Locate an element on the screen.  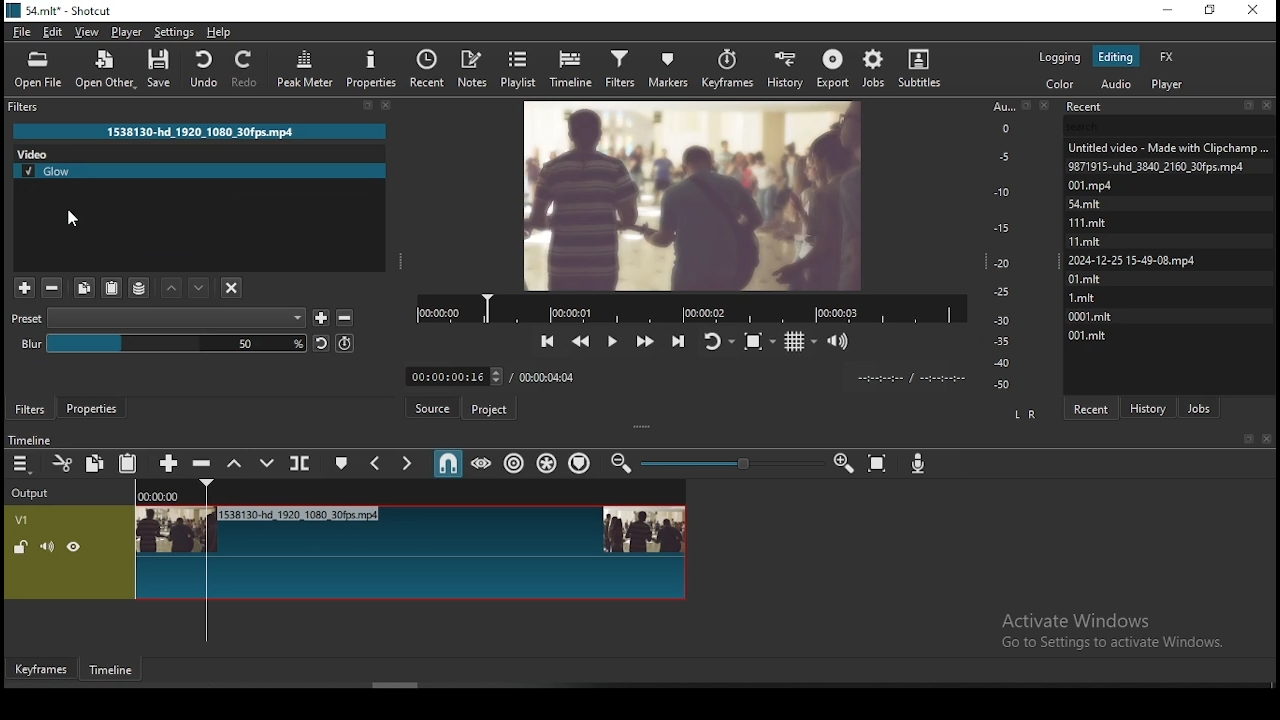
video preview is located at coordinates (691, 193).